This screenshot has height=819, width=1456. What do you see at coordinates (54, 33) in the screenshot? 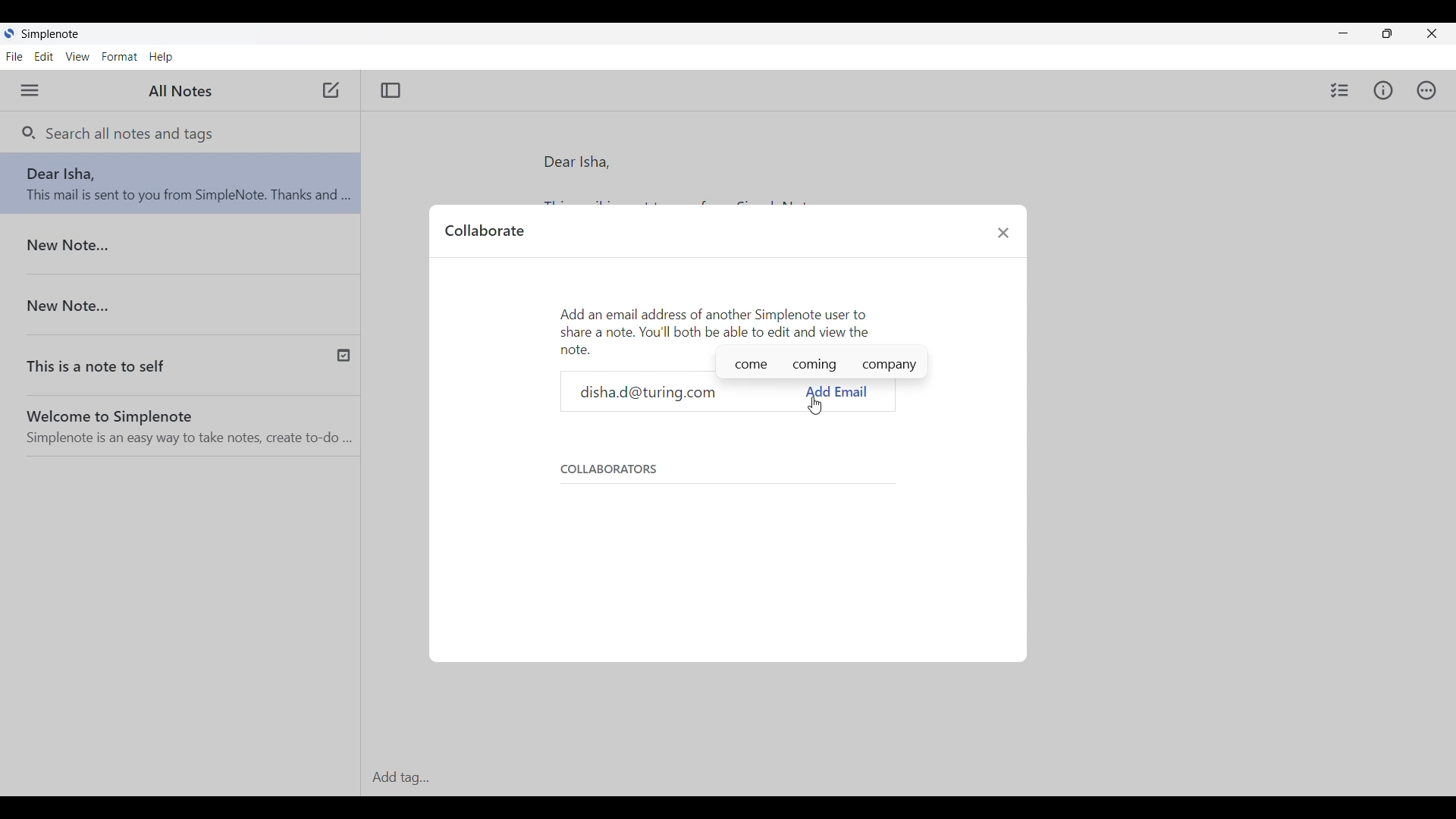
I see `Simplenote` at bounding box center [54, 33].